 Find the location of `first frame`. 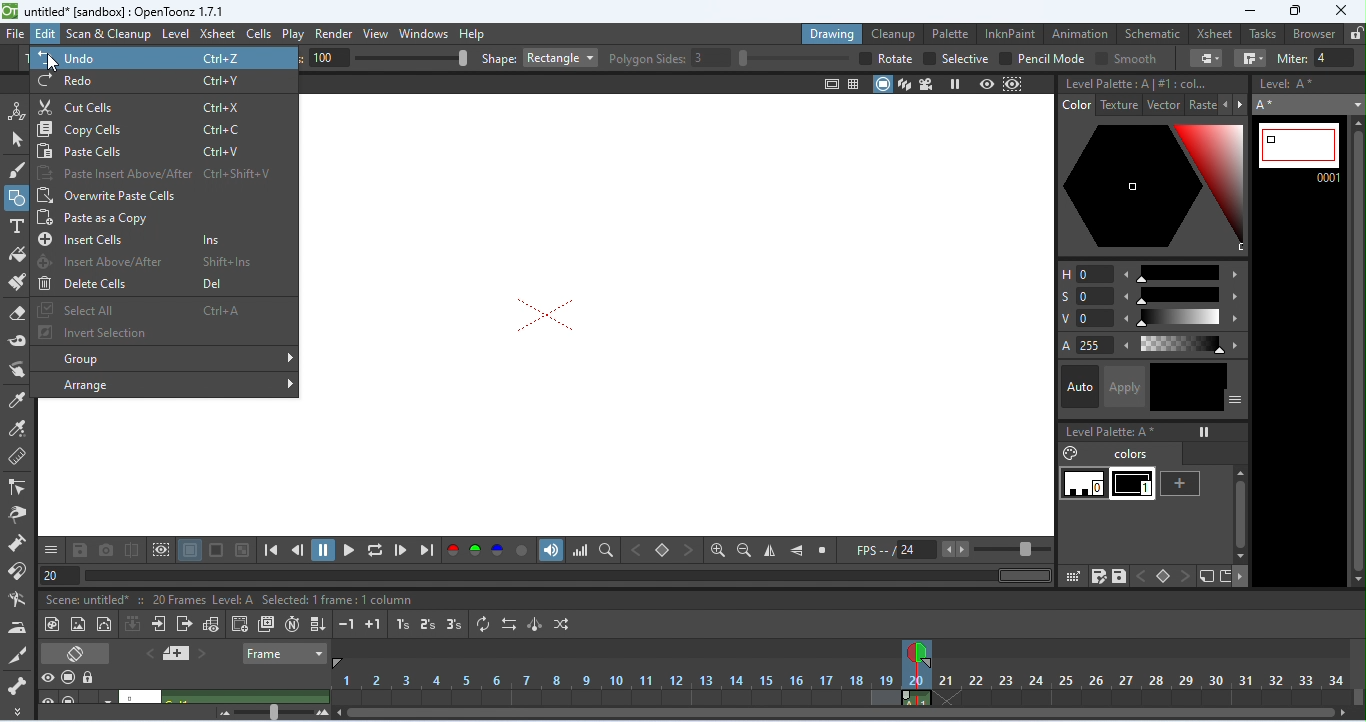

first frame is located at coordinates (270, 551).